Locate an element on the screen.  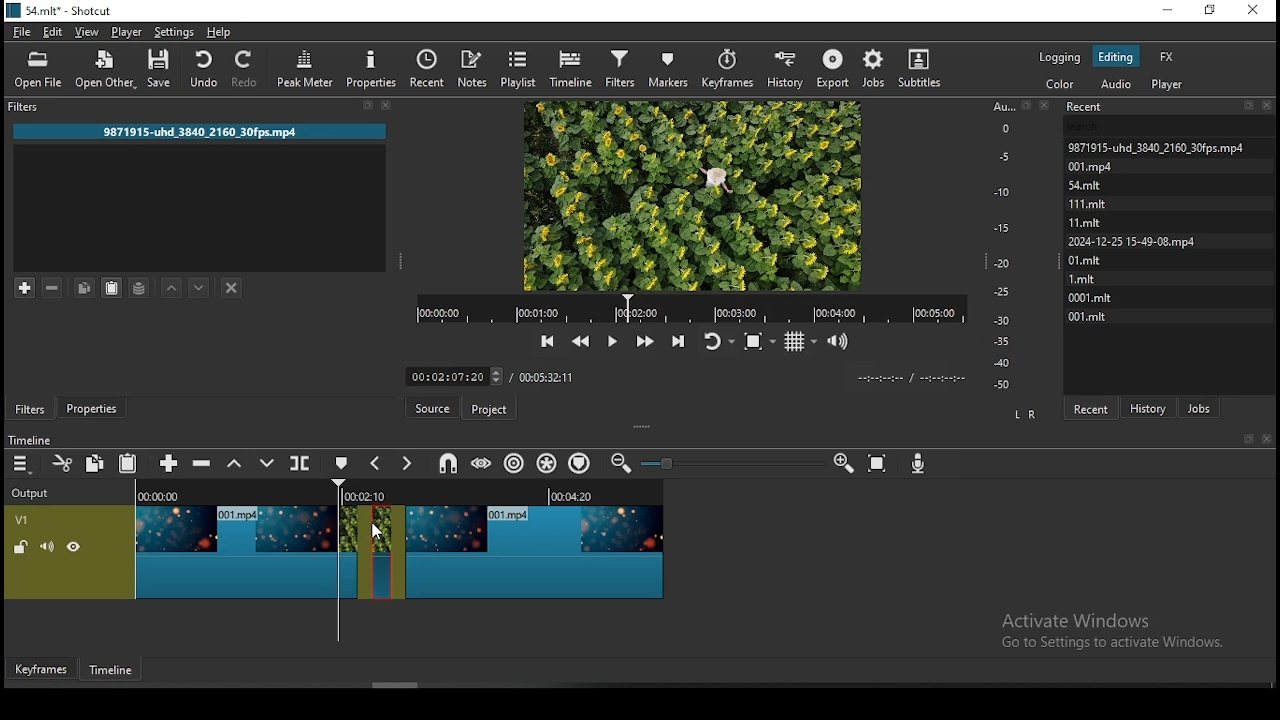
source is located at coordinates (435, 409).